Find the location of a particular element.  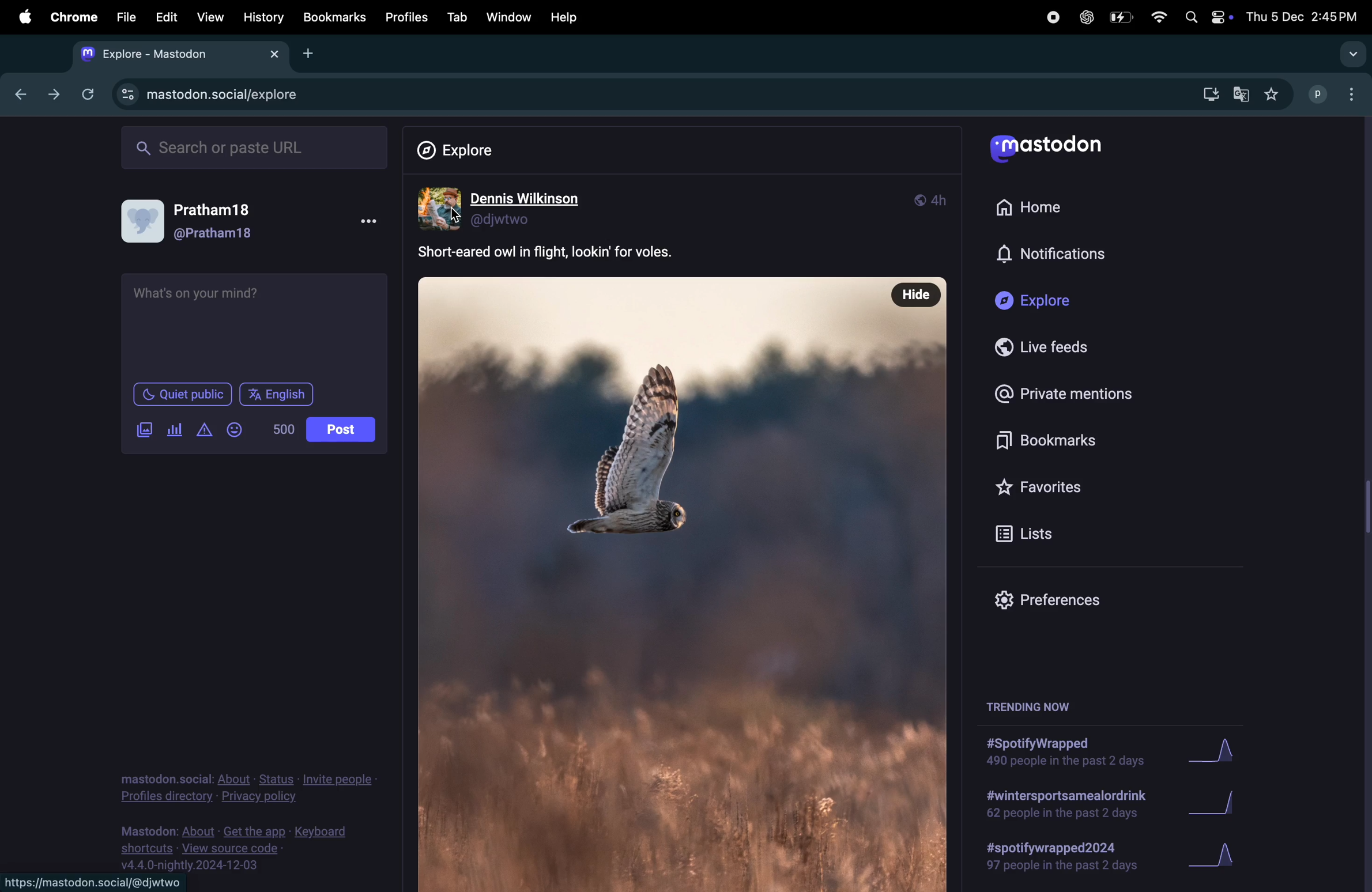

edit is located at coordinates (168, 18).